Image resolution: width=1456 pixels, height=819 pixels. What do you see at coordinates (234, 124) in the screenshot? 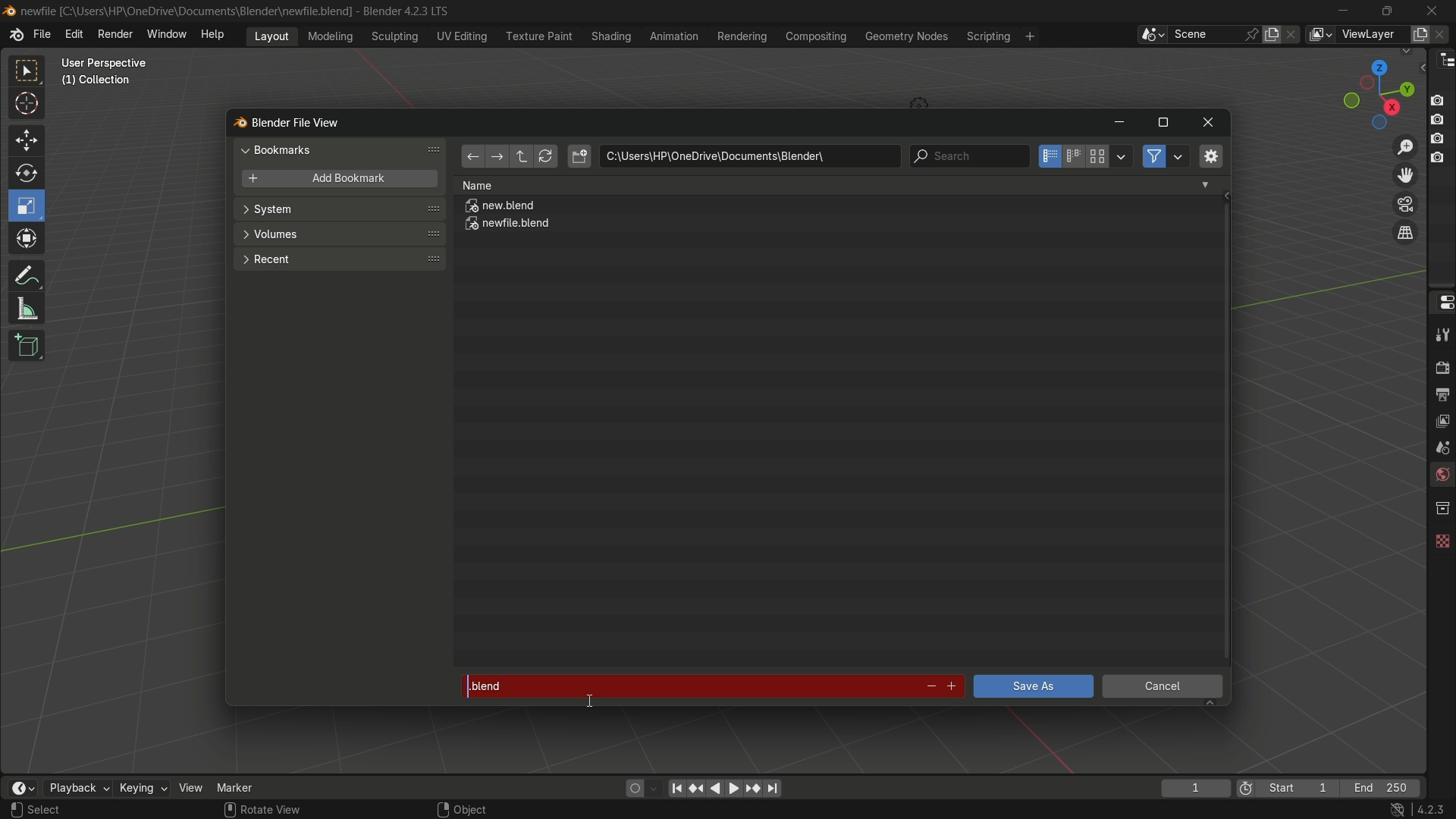
I see `blend logo` at bounding box center [234, 124].